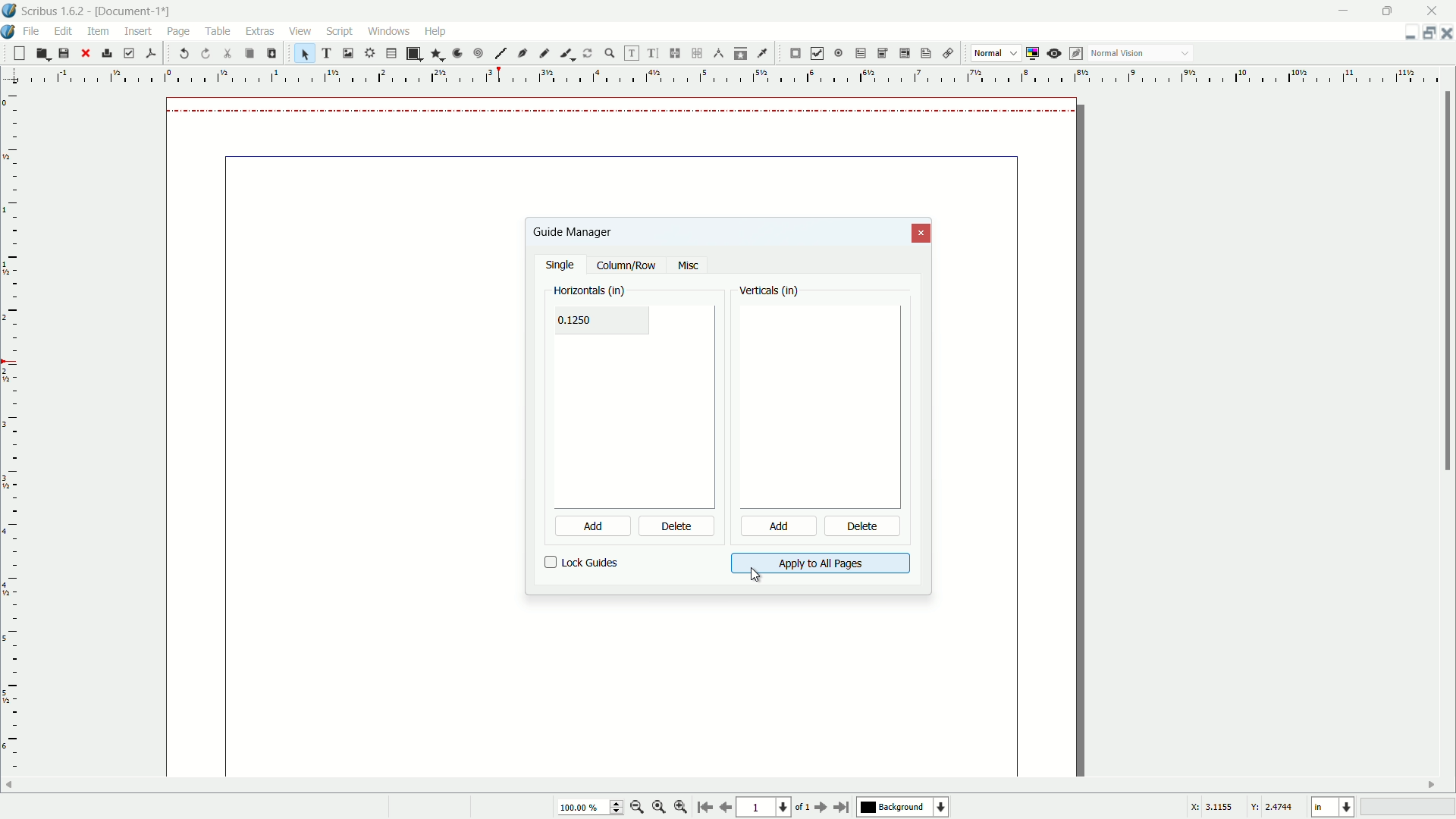  Describe the element at coordinates (17, 53) in the screenshot. I see `new` at that location.